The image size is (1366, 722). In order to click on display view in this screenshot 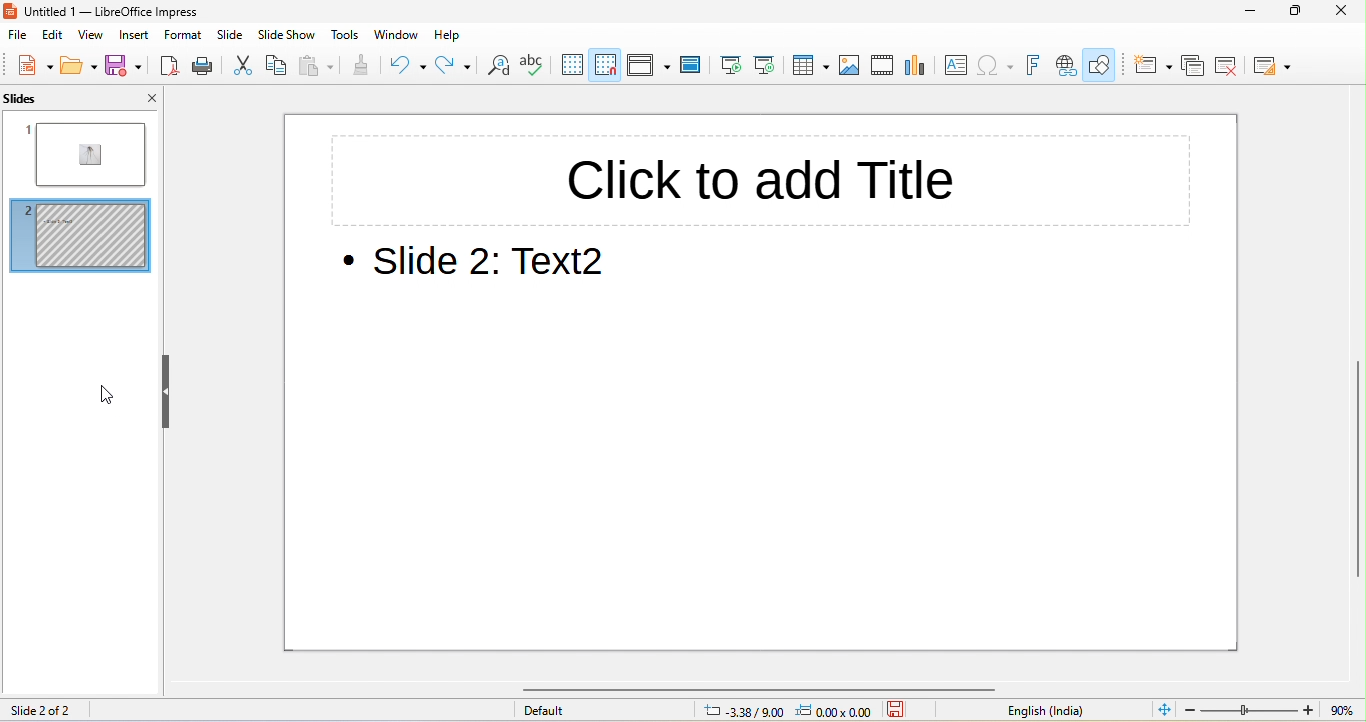, I will do `click(648, 64)`.